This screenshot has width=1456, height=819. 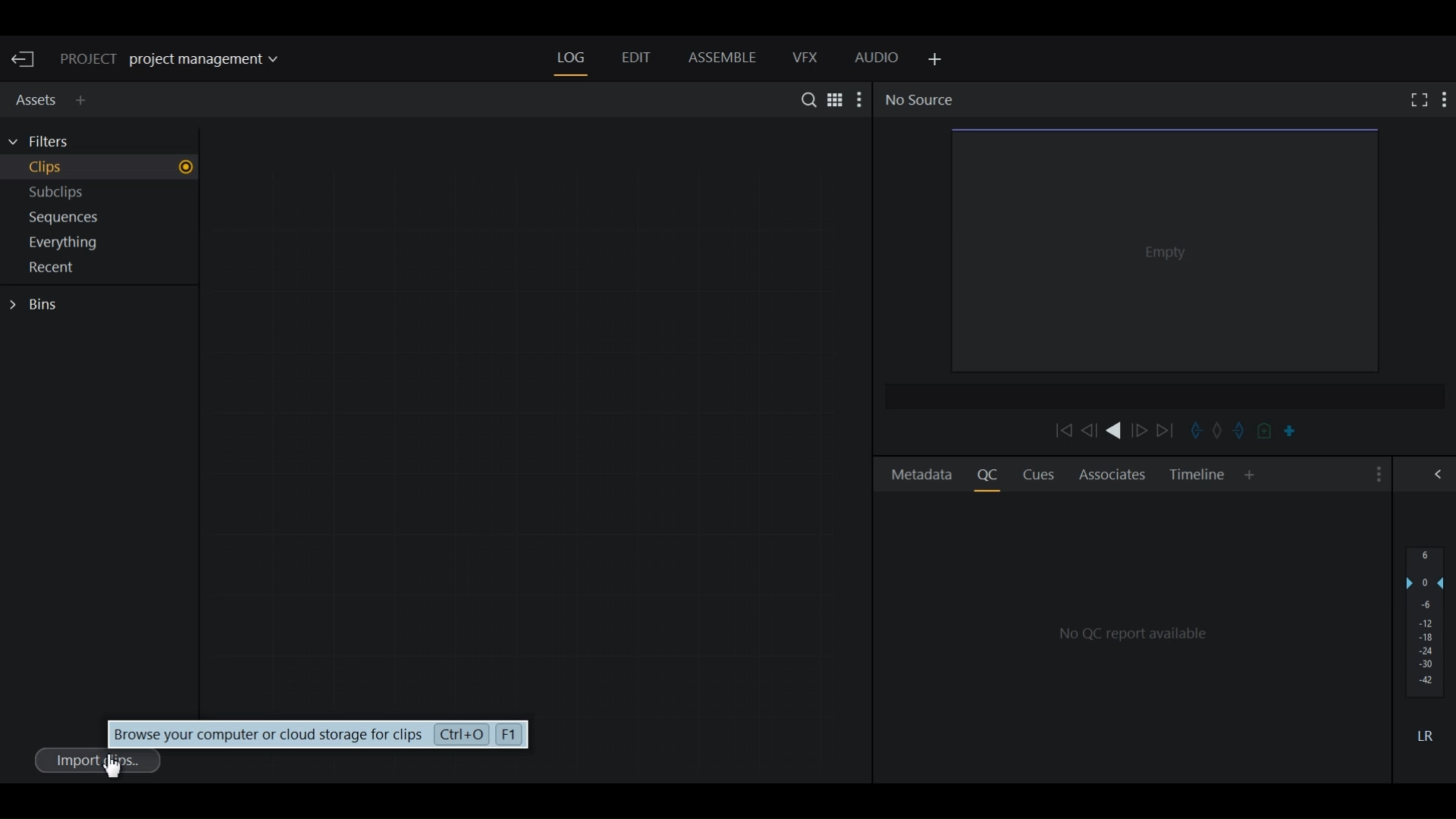 I want to click on Edit, so click(x=635, y=59).